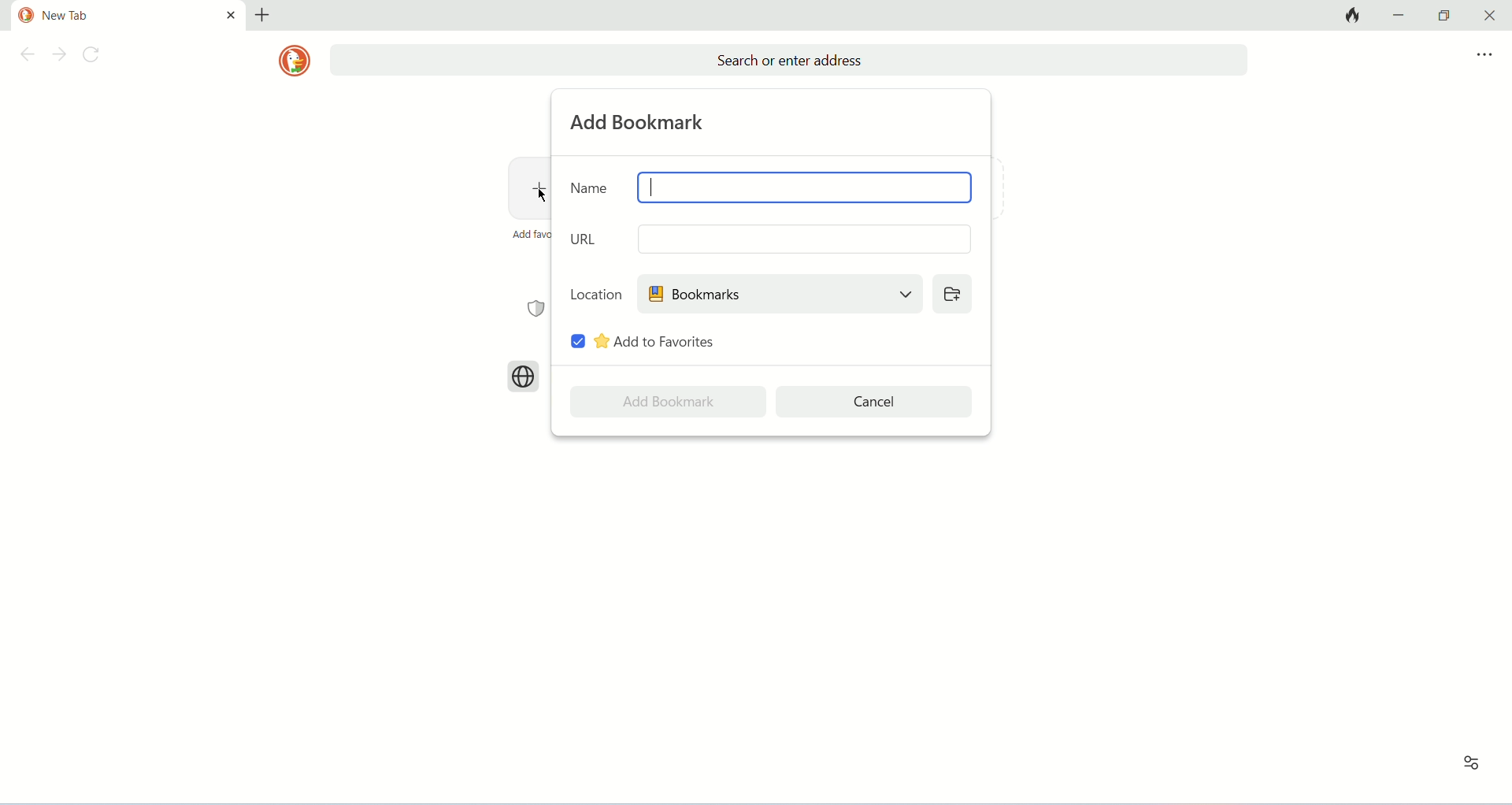 The height and width of the screenshot is (805, 1512). What do you see at coordinates (1351, 15) in the screenshot?
I see `close tab and clear data` at bounding box center [1351, 15].